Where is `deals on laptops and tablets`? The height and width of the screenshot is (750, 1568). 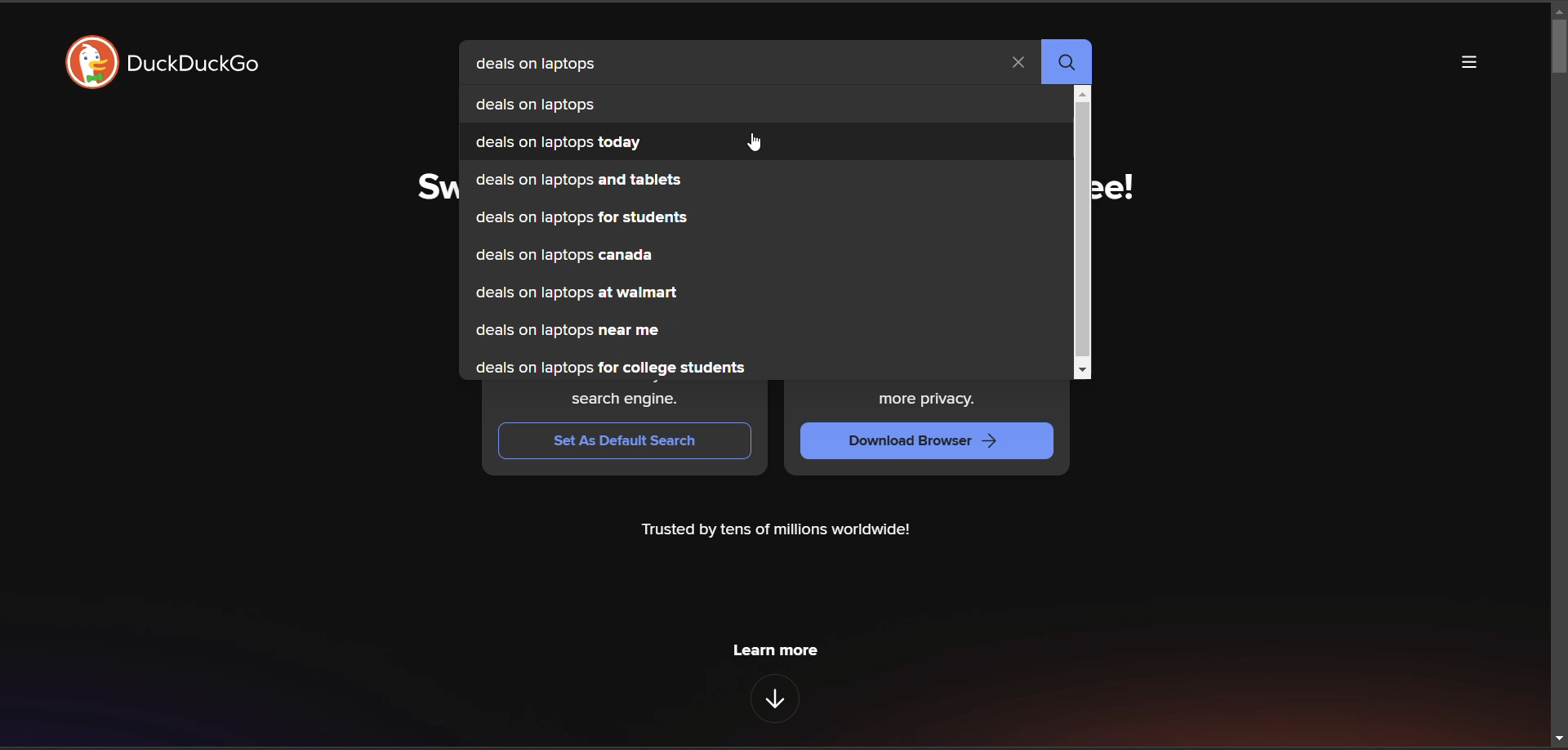
deals on laptops and tablets is located at coordinates (578, 181).